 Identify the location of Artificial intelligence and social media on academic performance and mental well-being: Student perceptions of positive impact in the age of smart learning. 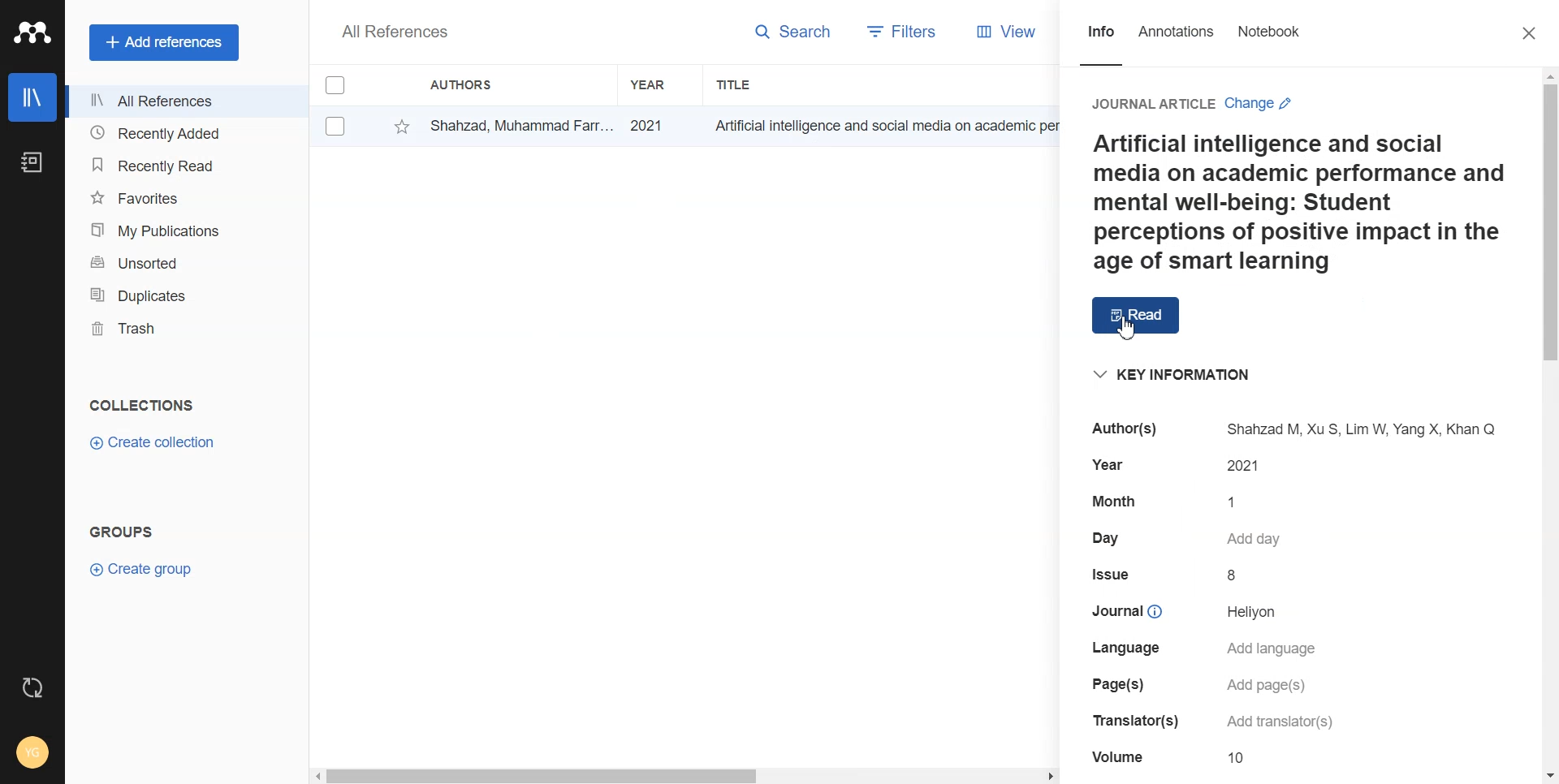
(1300, 202).